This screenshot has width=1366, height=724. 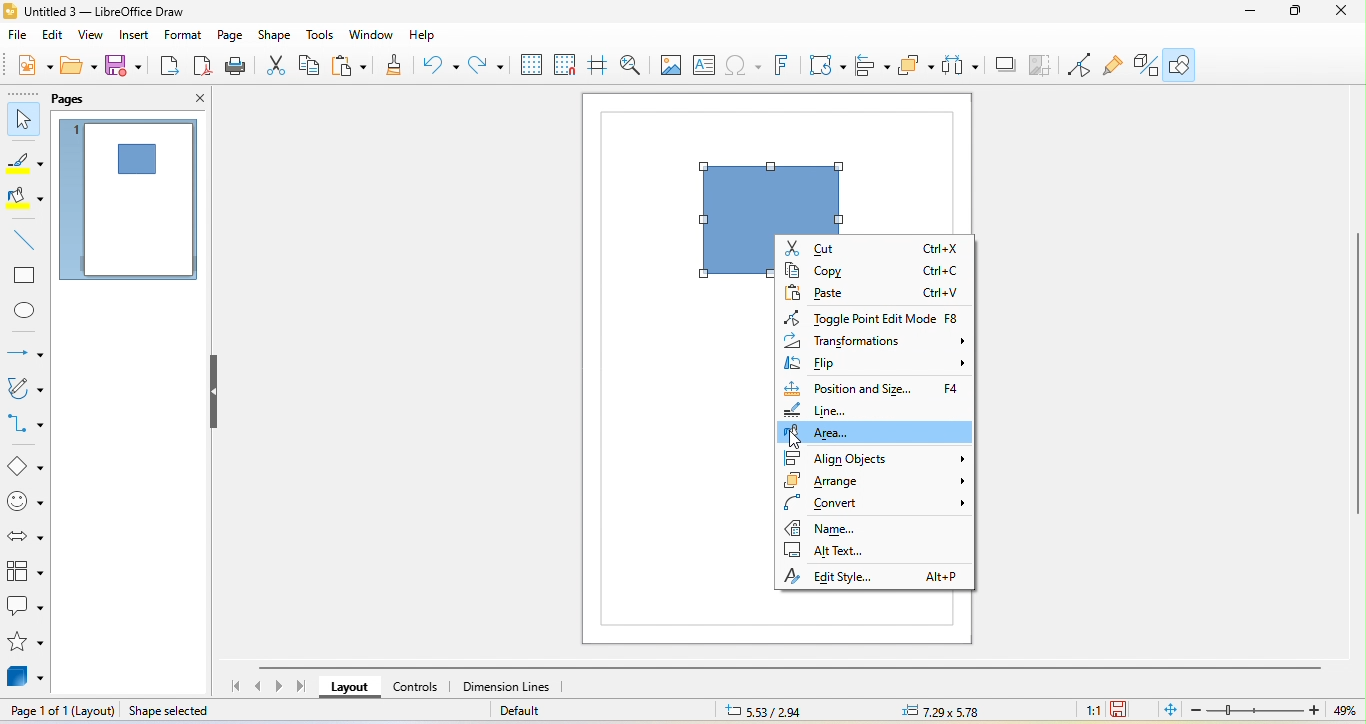 What do you see at coordinates (426, 36) in the screenshot?
I see `help` at bounding box center [426, 36].